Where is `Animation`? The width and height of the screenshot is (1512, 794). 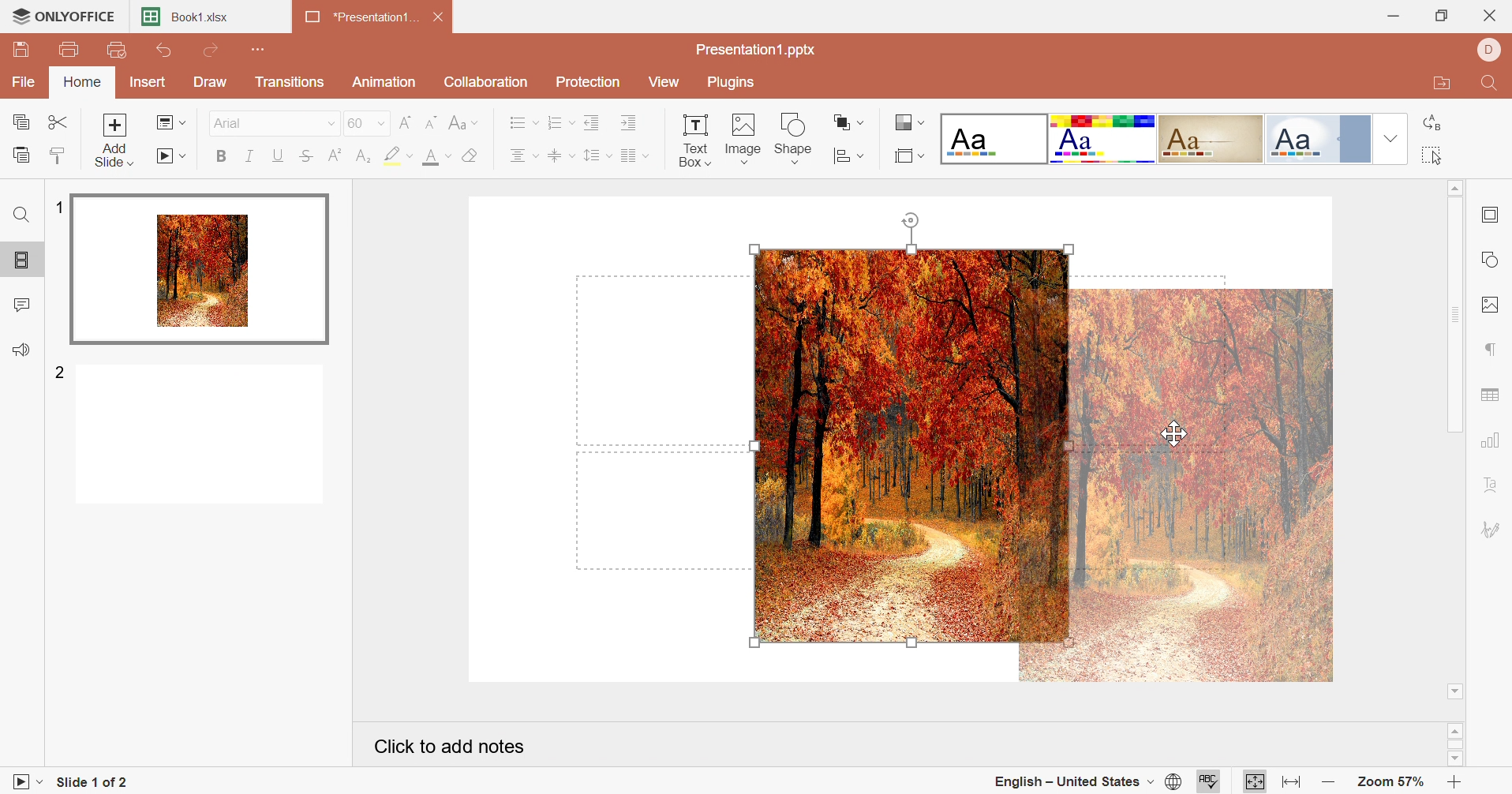
Animation is located at coordinates (387, 82).